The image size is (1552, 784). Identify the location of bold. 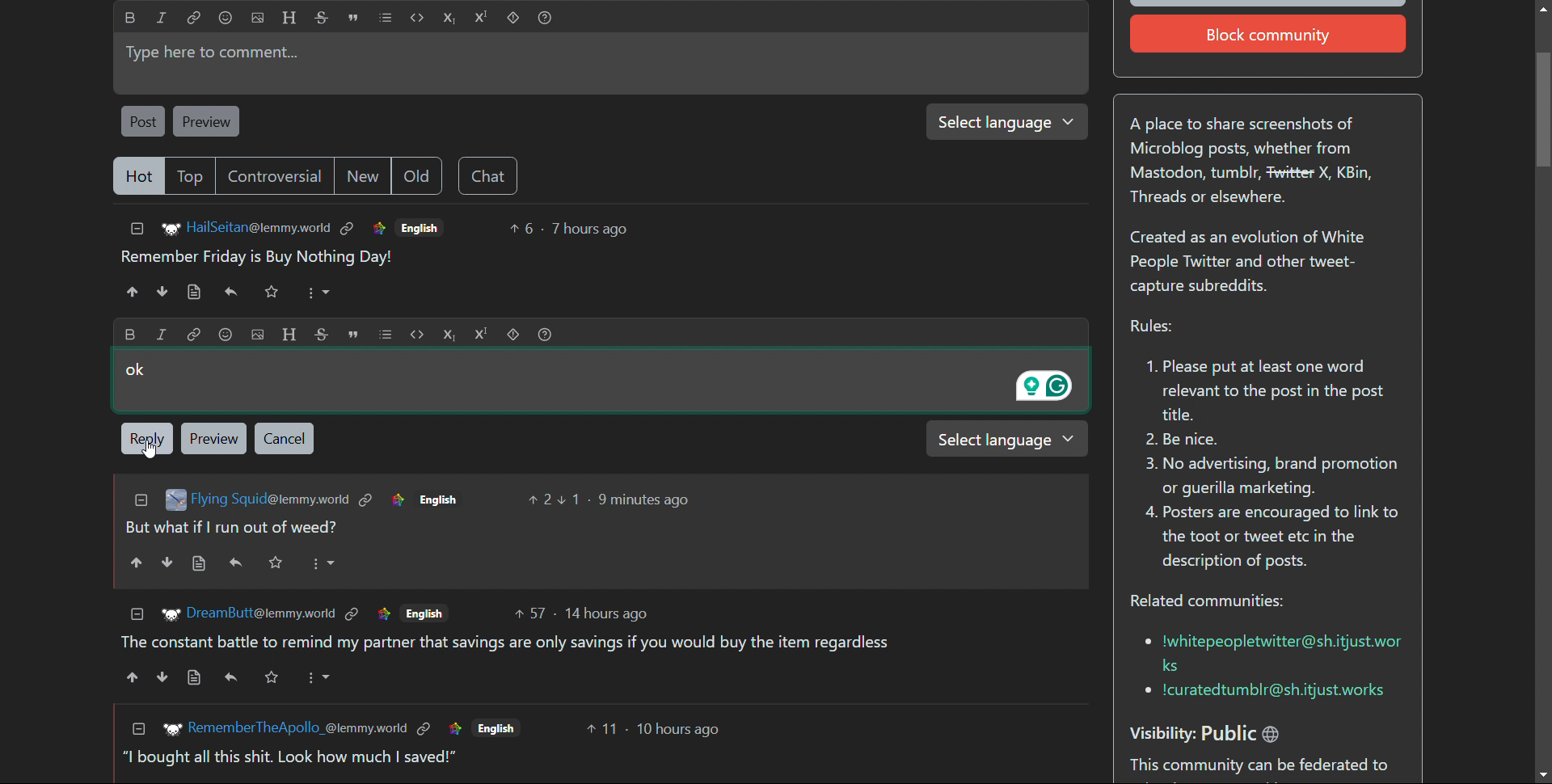
(131, 18).